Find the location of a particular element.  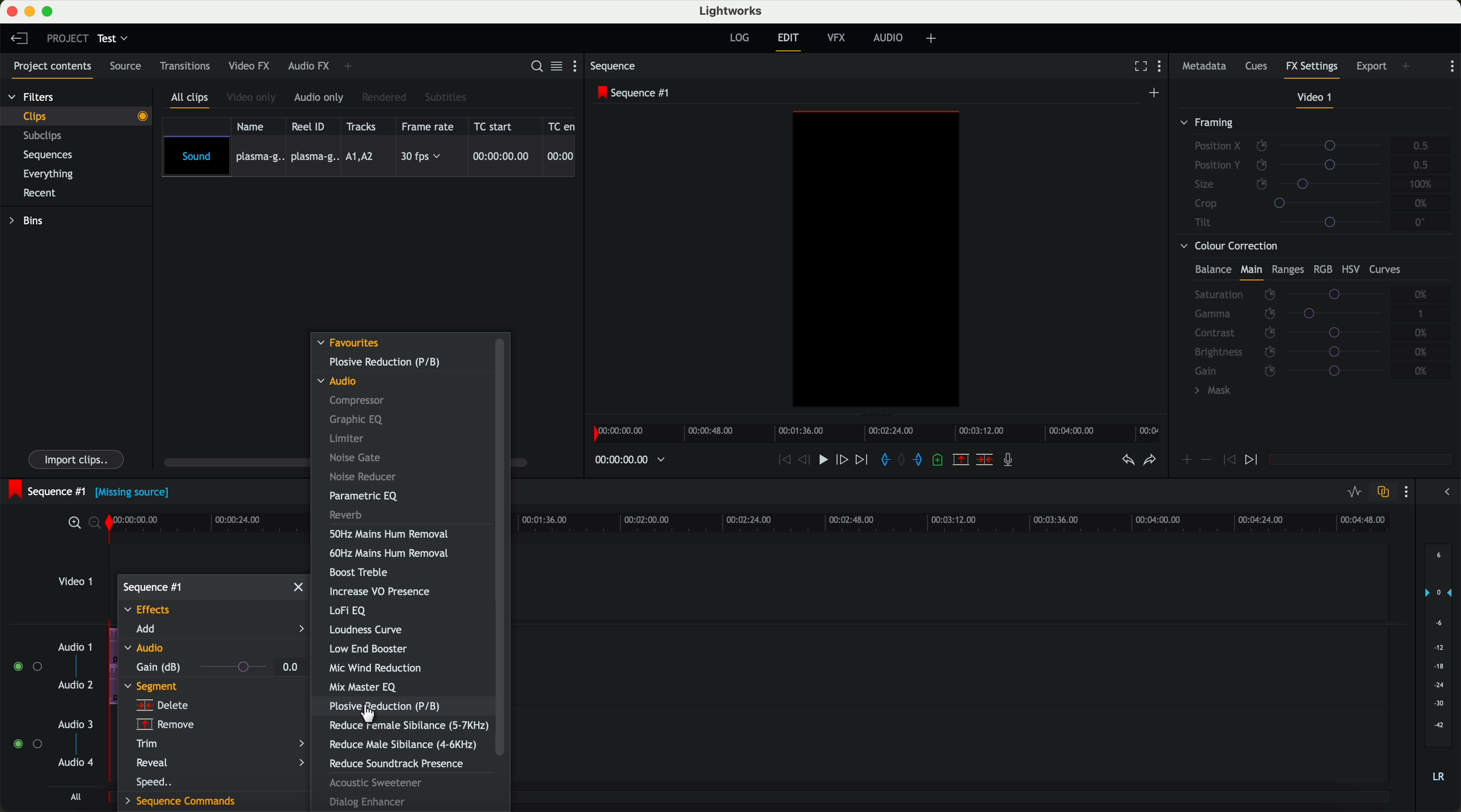

project contents is located at coordinates (49, 68).